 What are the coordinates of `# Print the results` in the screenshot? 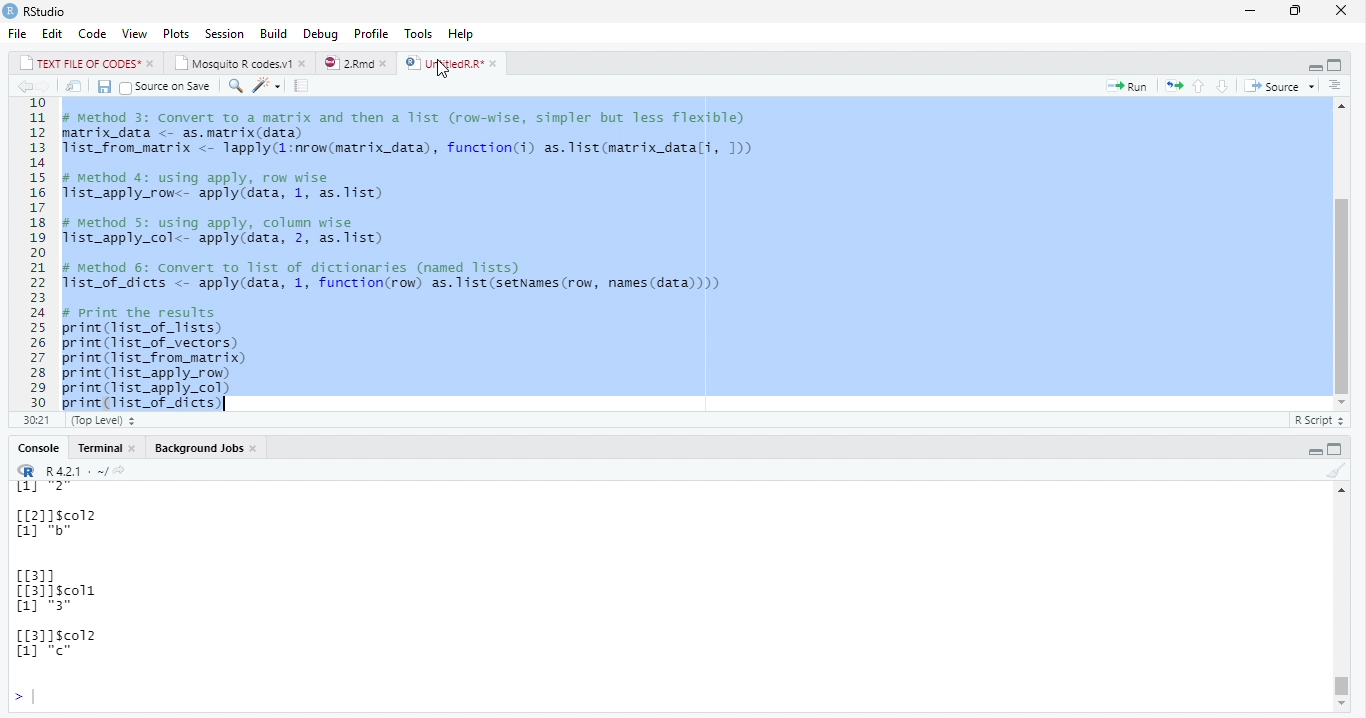 It's located at (141, 311).